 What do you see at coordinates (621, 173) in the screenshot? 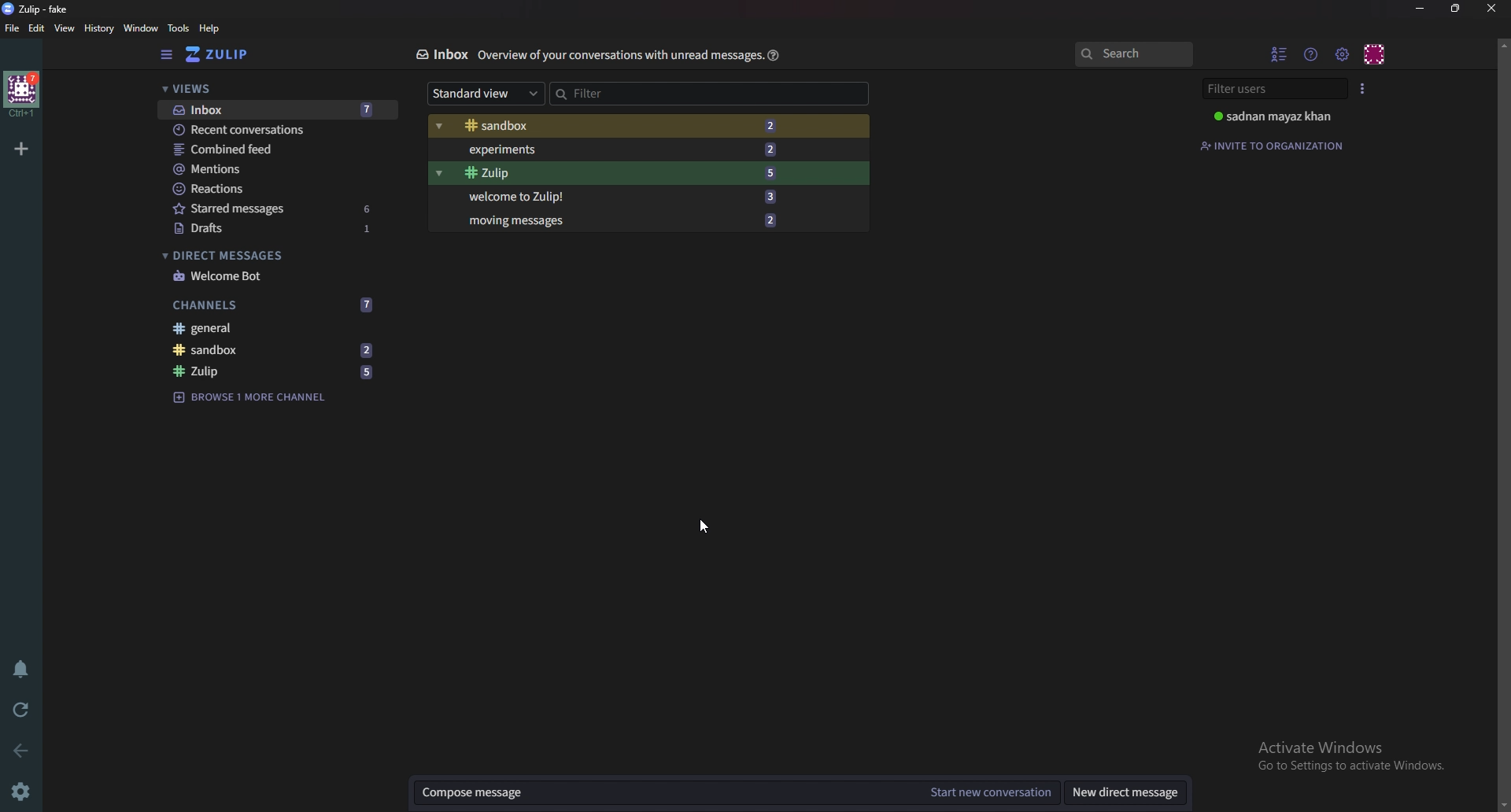
I see `zulip` at bounding box center [621, 173].